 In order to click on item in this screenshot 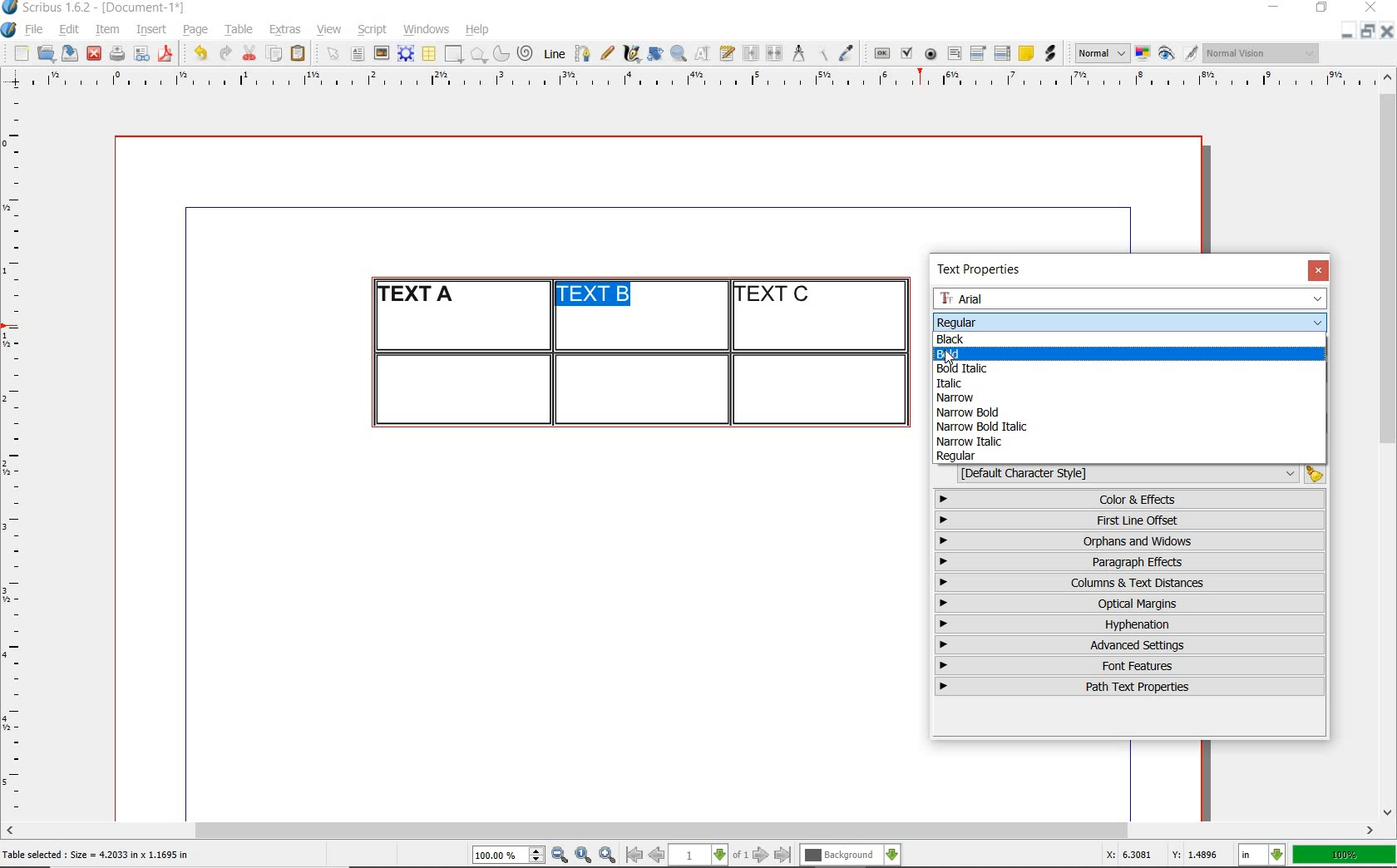, I will do `click(106, 30)`.